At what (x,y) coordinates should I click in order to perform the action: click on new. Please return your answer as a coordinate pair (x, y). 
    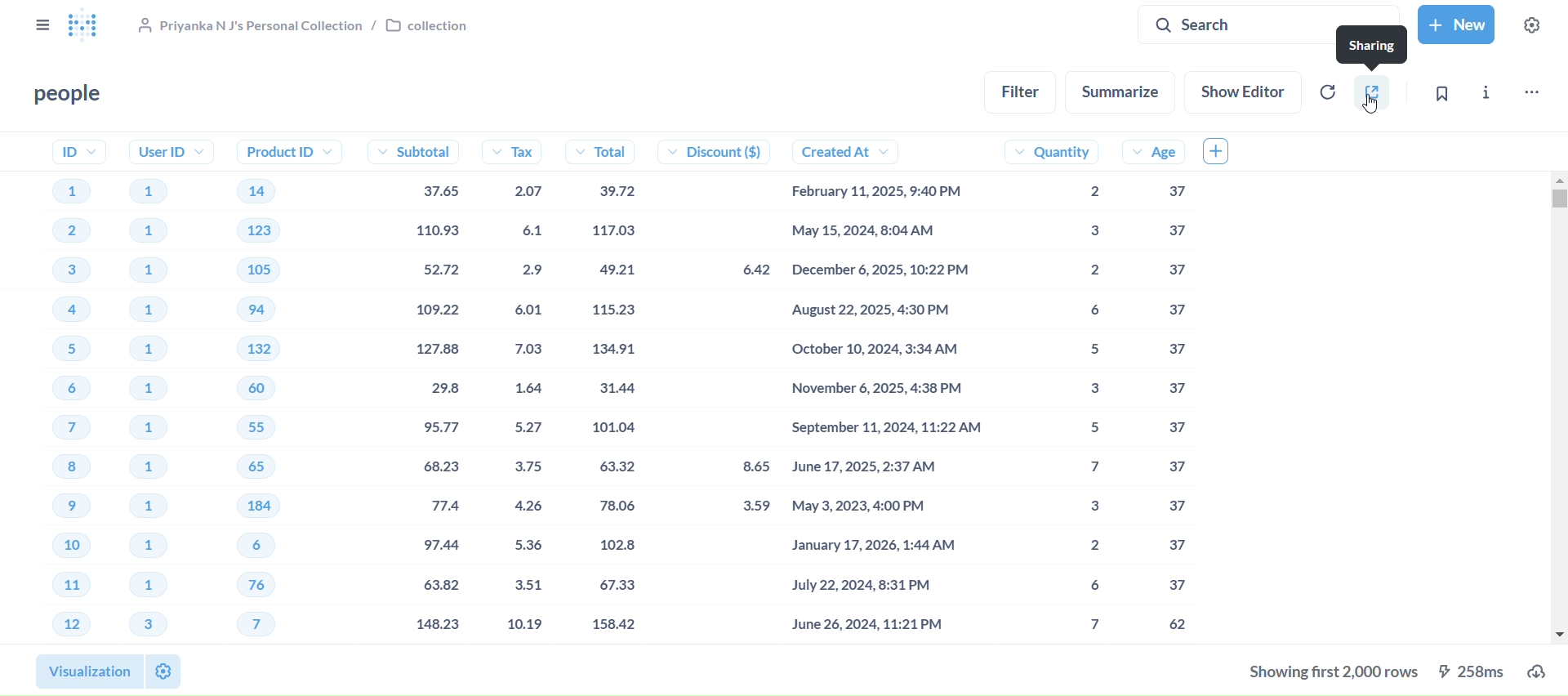
    Looking at the image, I should click on (1460, 25).